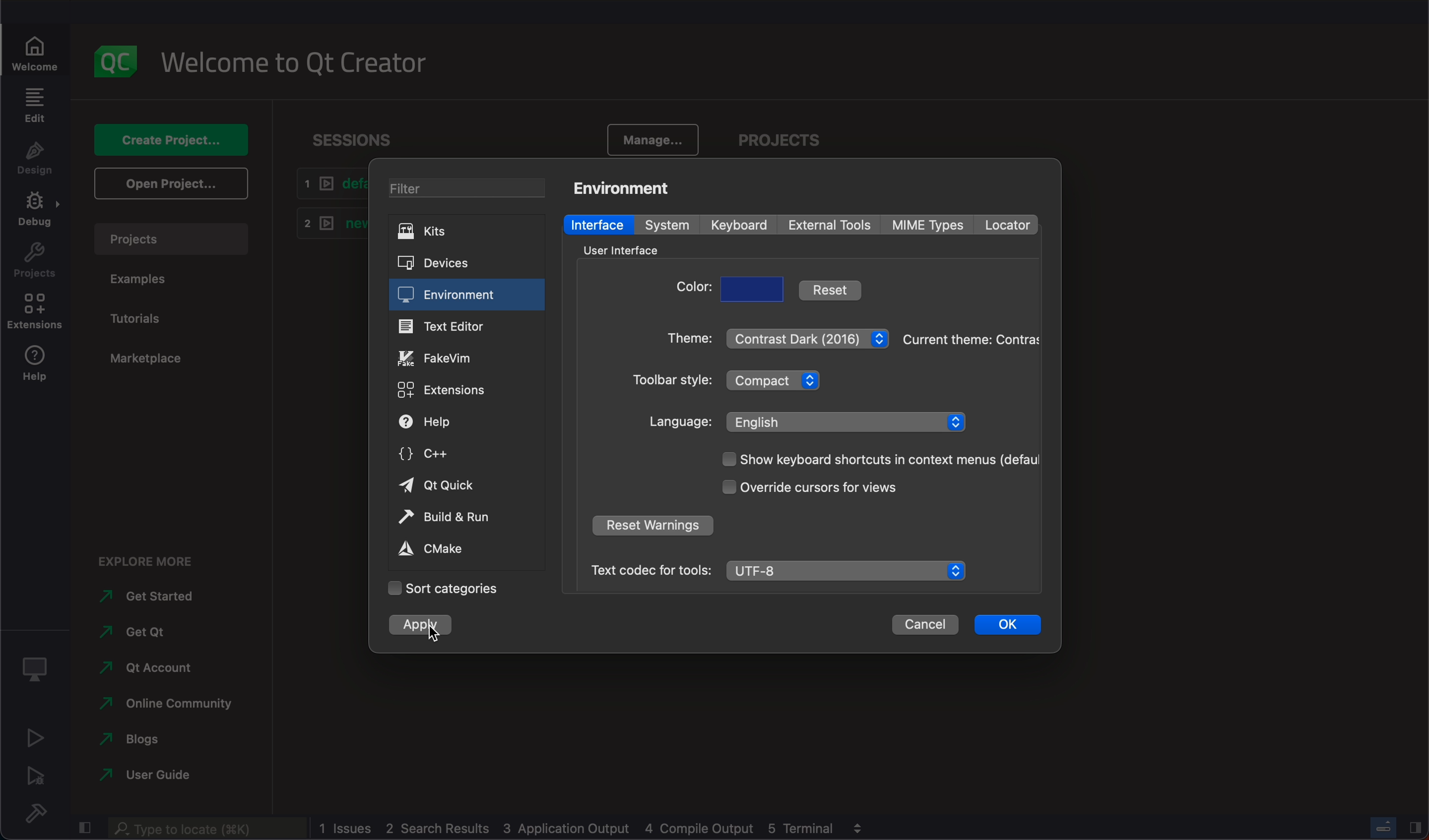 The image size is (1429, 840). Describe the element at coordinates (168, 184) in the screenshot. I see `open` at that location.